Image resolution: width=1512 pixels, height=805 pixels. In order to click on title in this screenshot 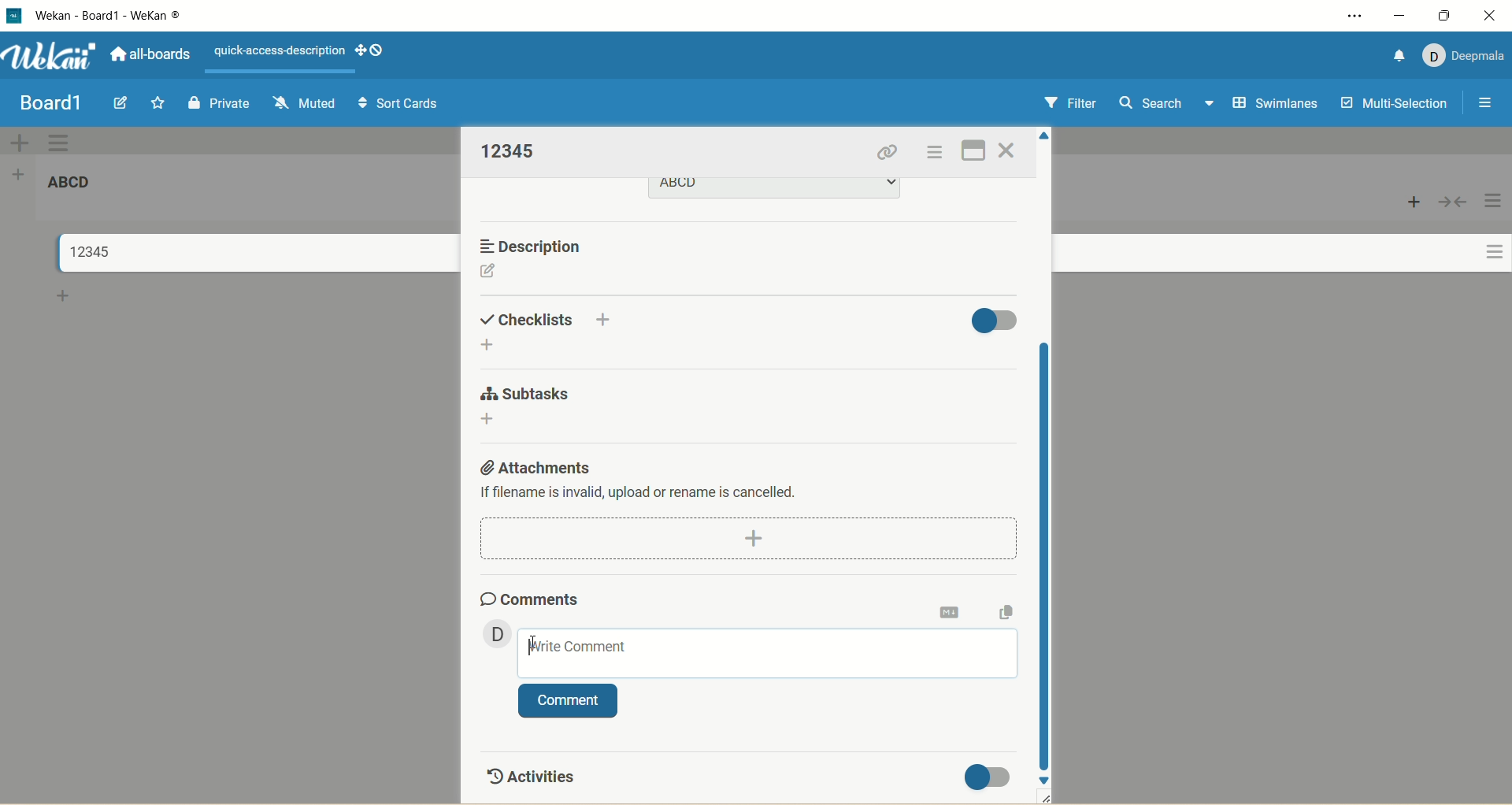, I will do `click(136, 16)`.